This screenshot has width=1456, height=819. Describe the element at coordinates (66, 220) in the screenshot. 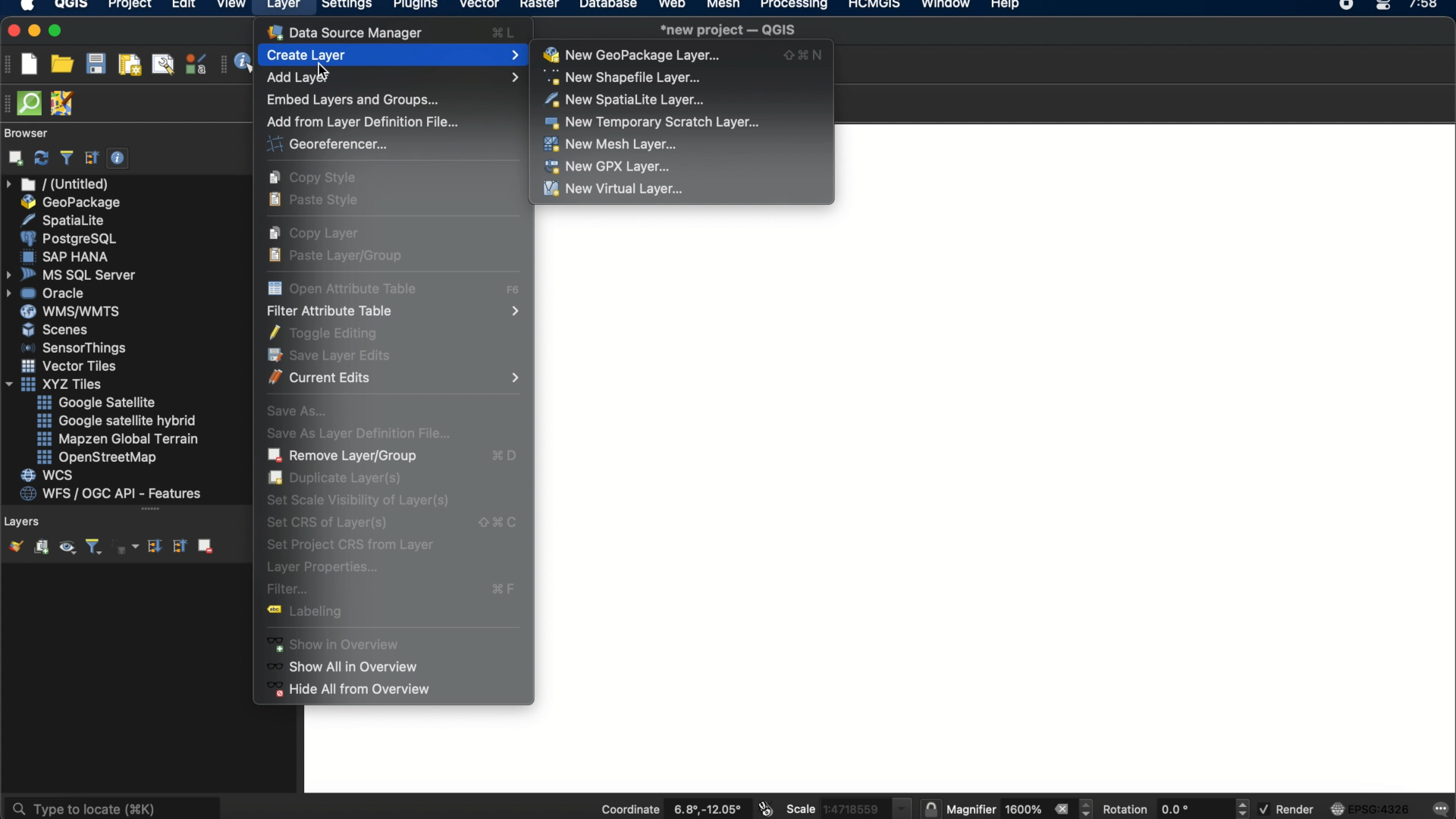

I see `spatialite` at that location.